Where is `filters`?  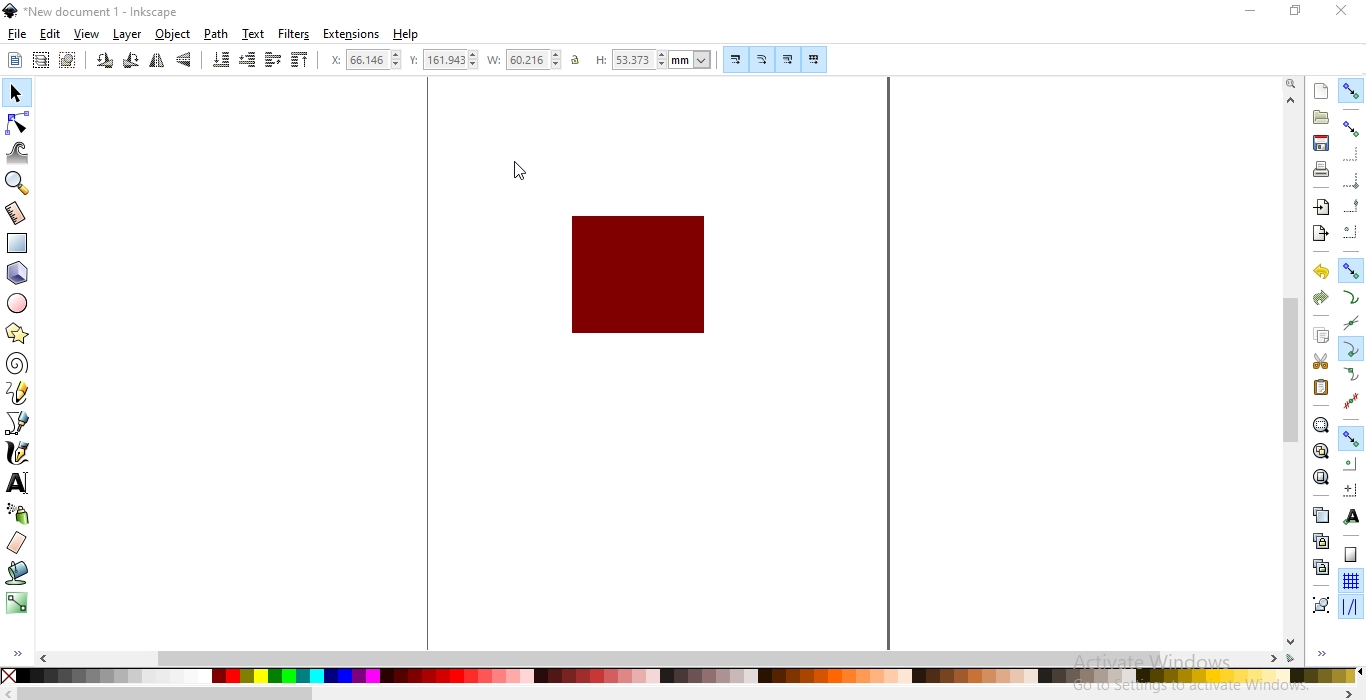 filters is located at coordinates (295, 34).